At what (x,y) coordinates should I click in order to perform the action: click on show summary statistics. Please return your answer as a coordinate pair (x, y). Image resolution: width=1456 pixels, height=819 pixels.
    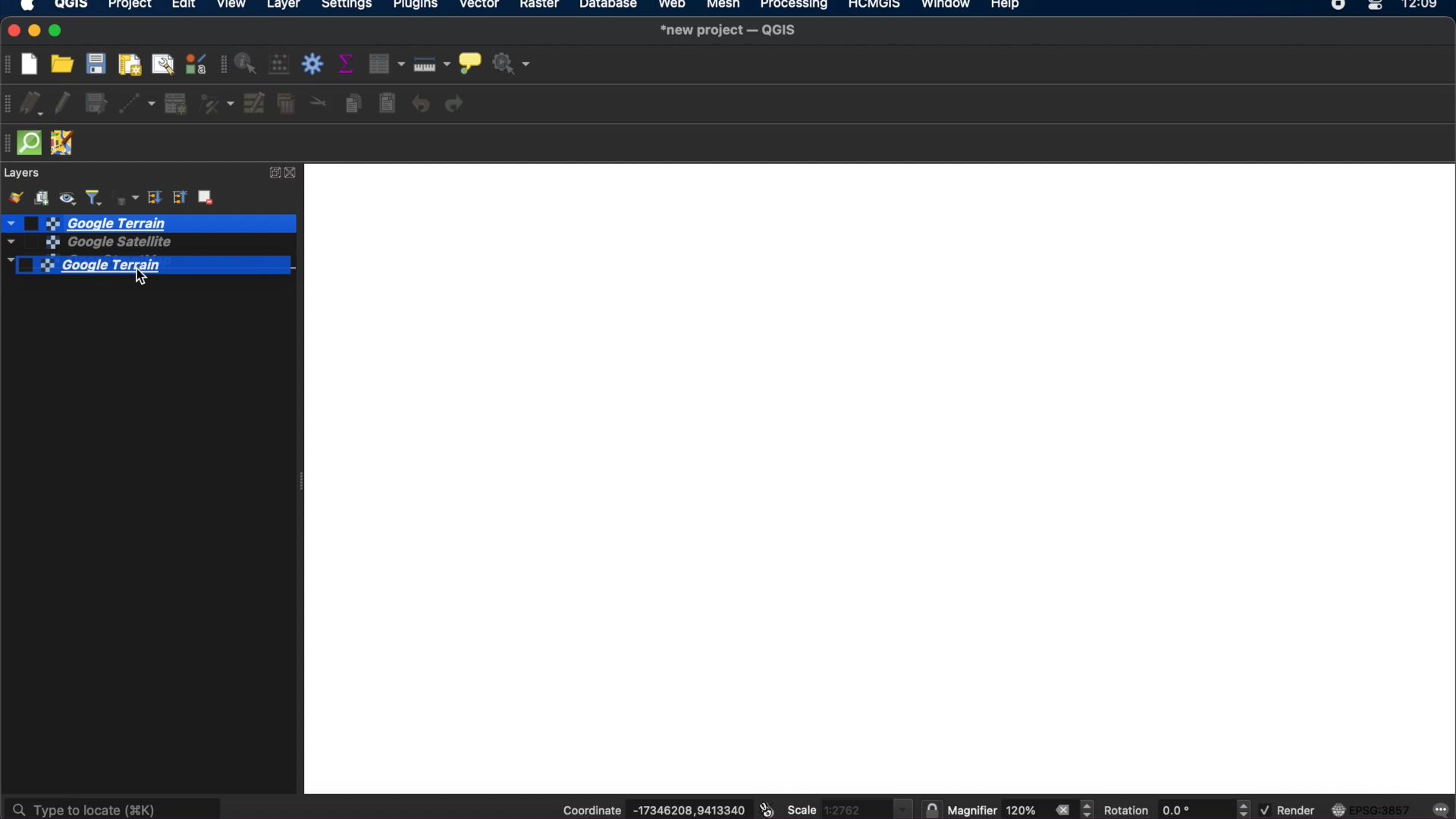
    Looking at the image, I should click on (349, 64).